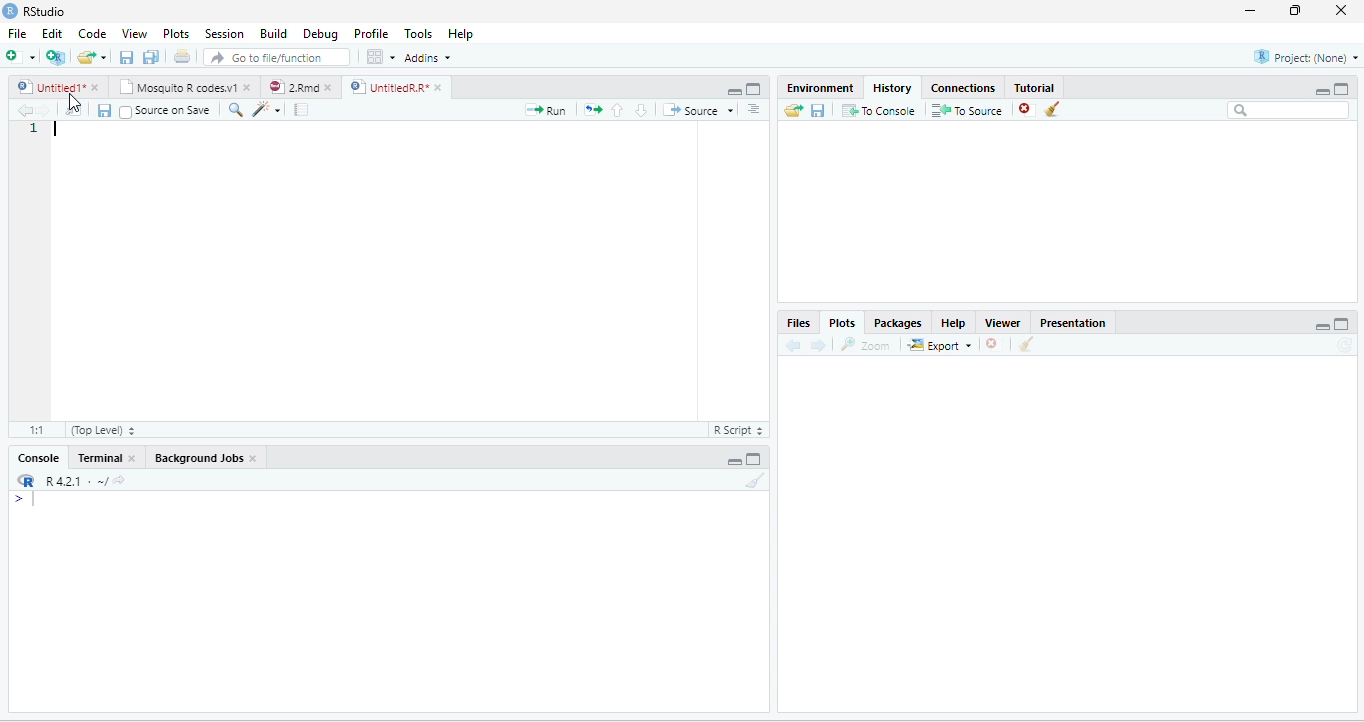 This screenshot has height=722, width=1364. I want to click on Remove current plot, so click(993, 345).